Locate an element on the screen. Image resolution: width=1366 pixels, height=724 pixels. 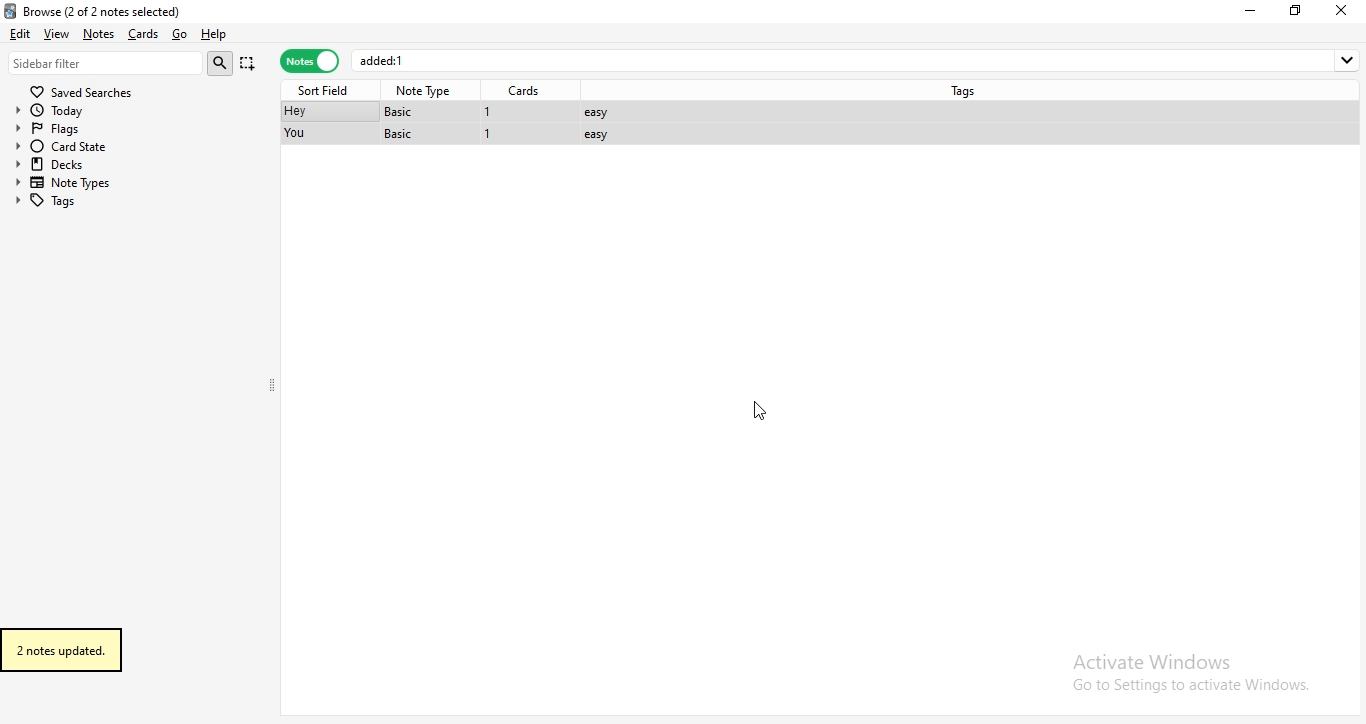
browse is located at coordinates (131, 9).